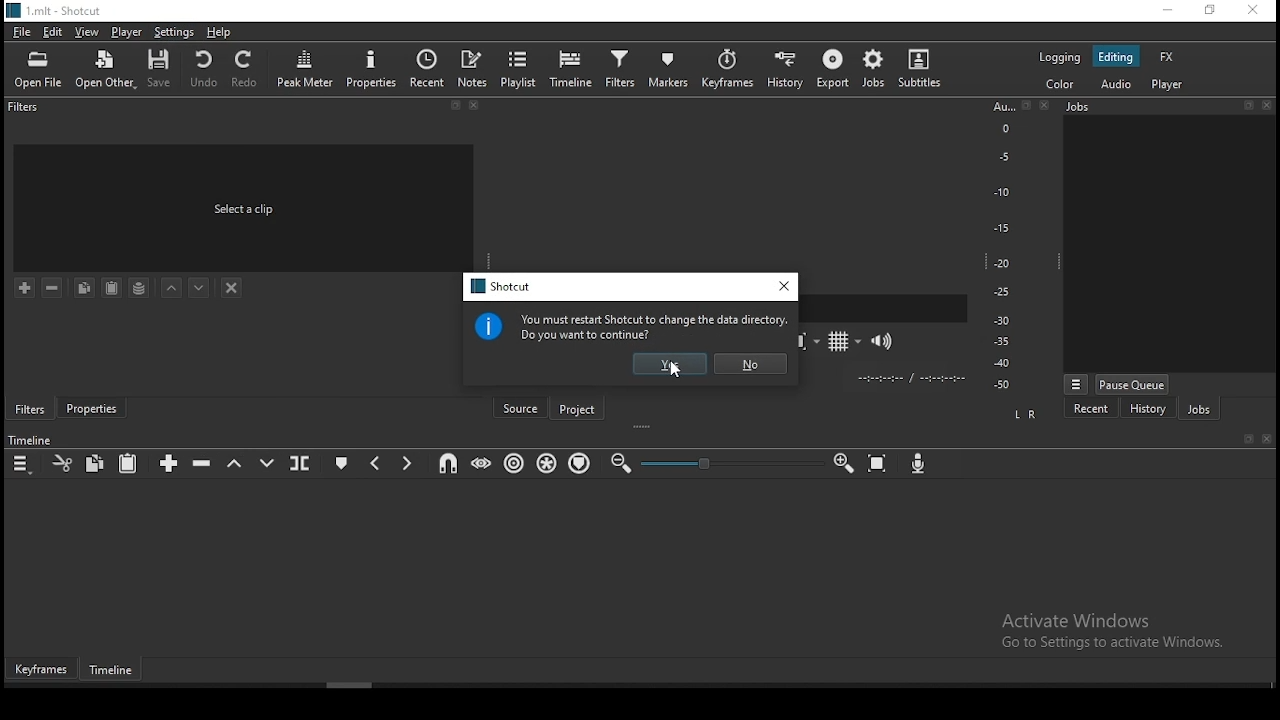  I want to click on source, so click(519, 406).